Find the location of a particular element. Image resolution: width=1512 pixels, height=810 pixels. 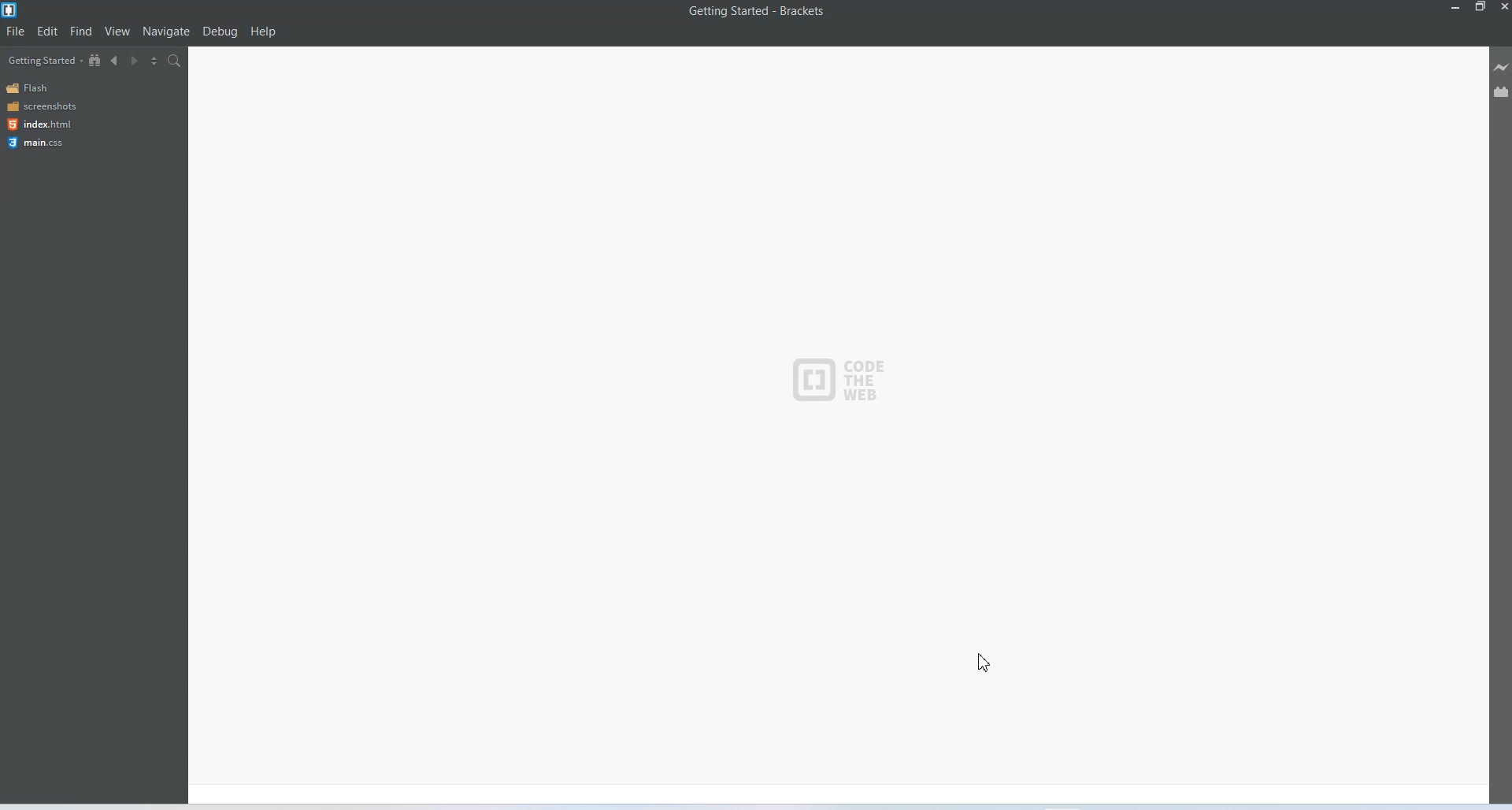

Split the editor vertically or horizontally is located at coordinates (154, 61).